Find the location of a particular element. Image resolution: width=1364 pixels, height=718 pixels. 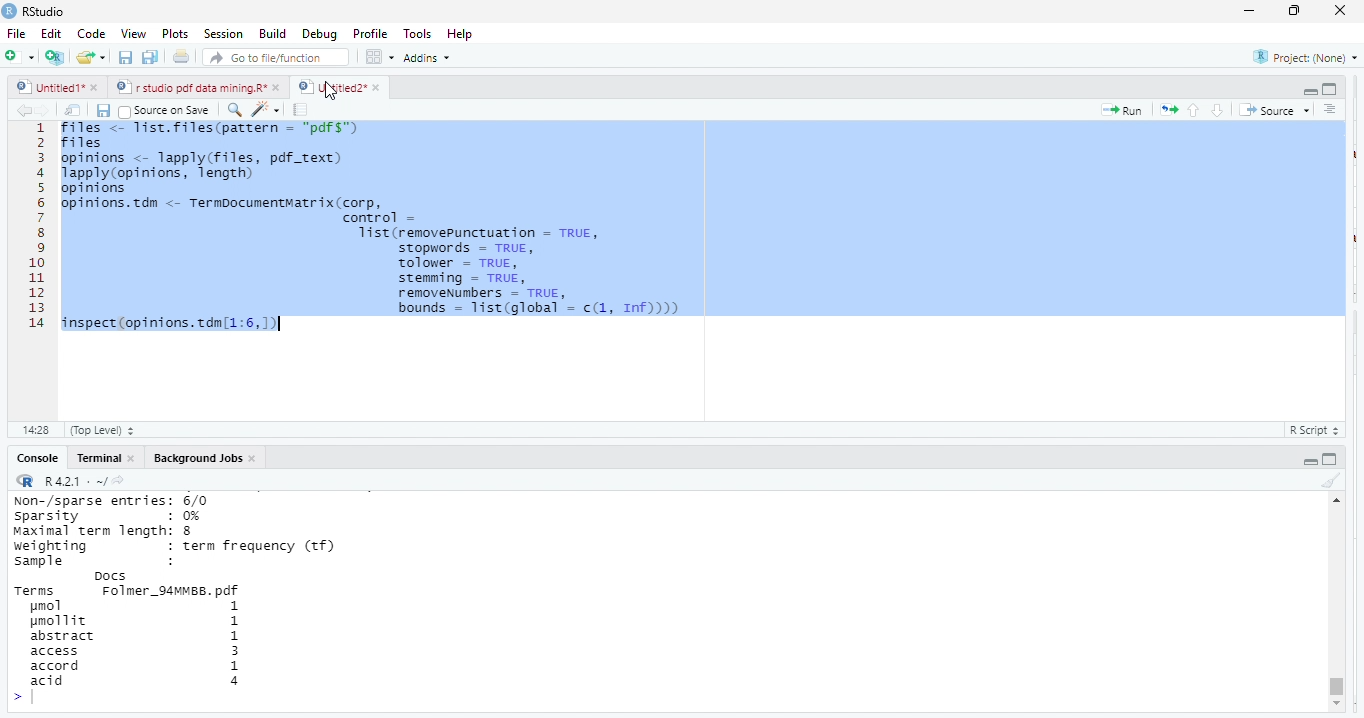

compile report is located at coordinates (303, 110).